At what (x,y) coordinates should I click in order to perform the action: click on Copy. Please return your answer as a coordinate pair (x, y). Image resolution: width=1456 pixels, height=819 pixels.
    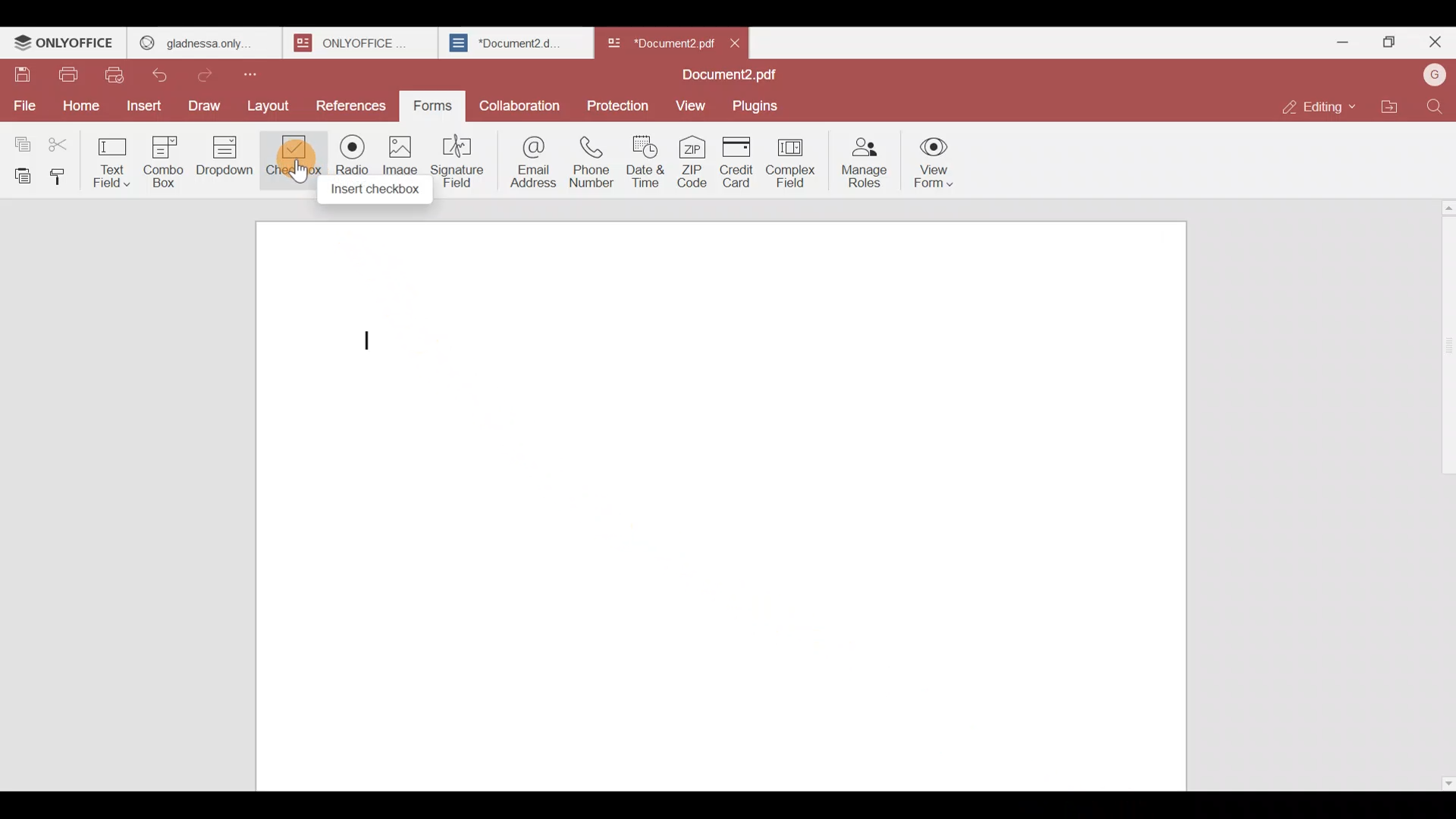
    Looking at the image, I should click on (20, 140).